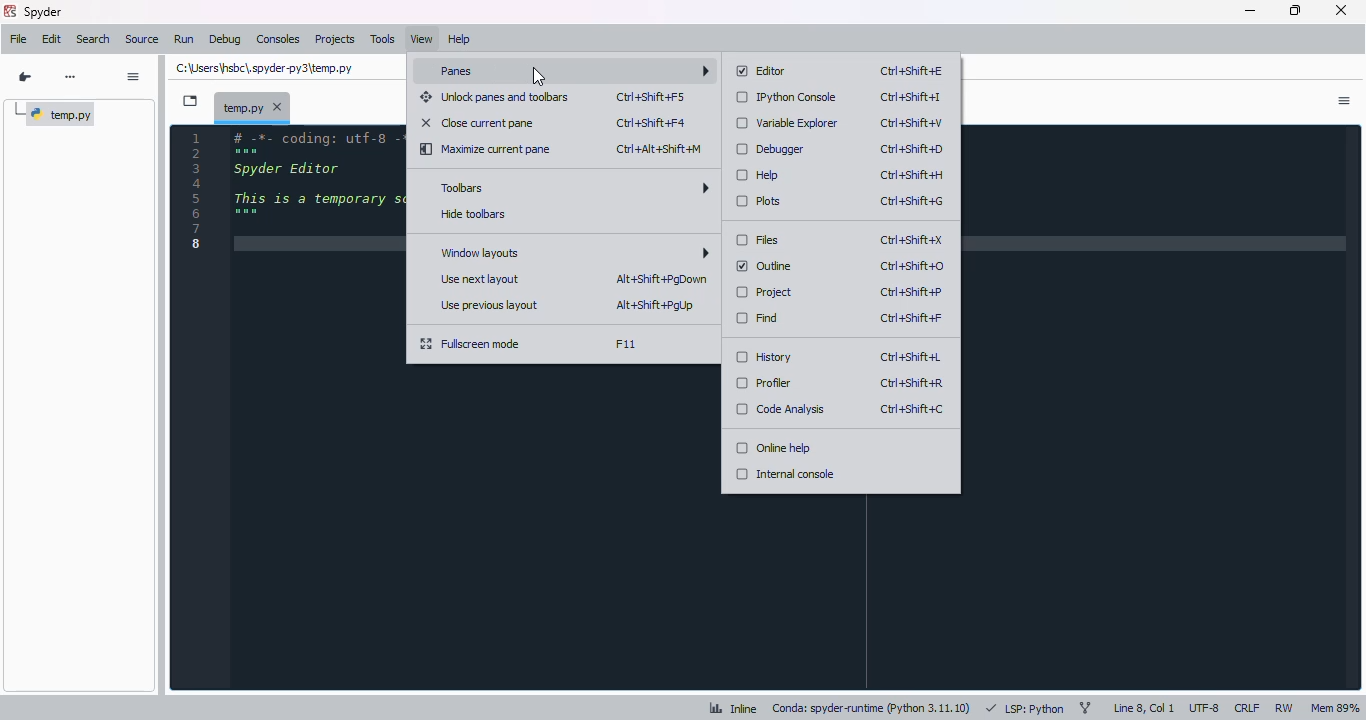 The height and width of the screenshot is (720, 1366). What do you see at coordinates (196, 190) in the screenshot?
I see `line numbers` at bounding box center [196, 190].